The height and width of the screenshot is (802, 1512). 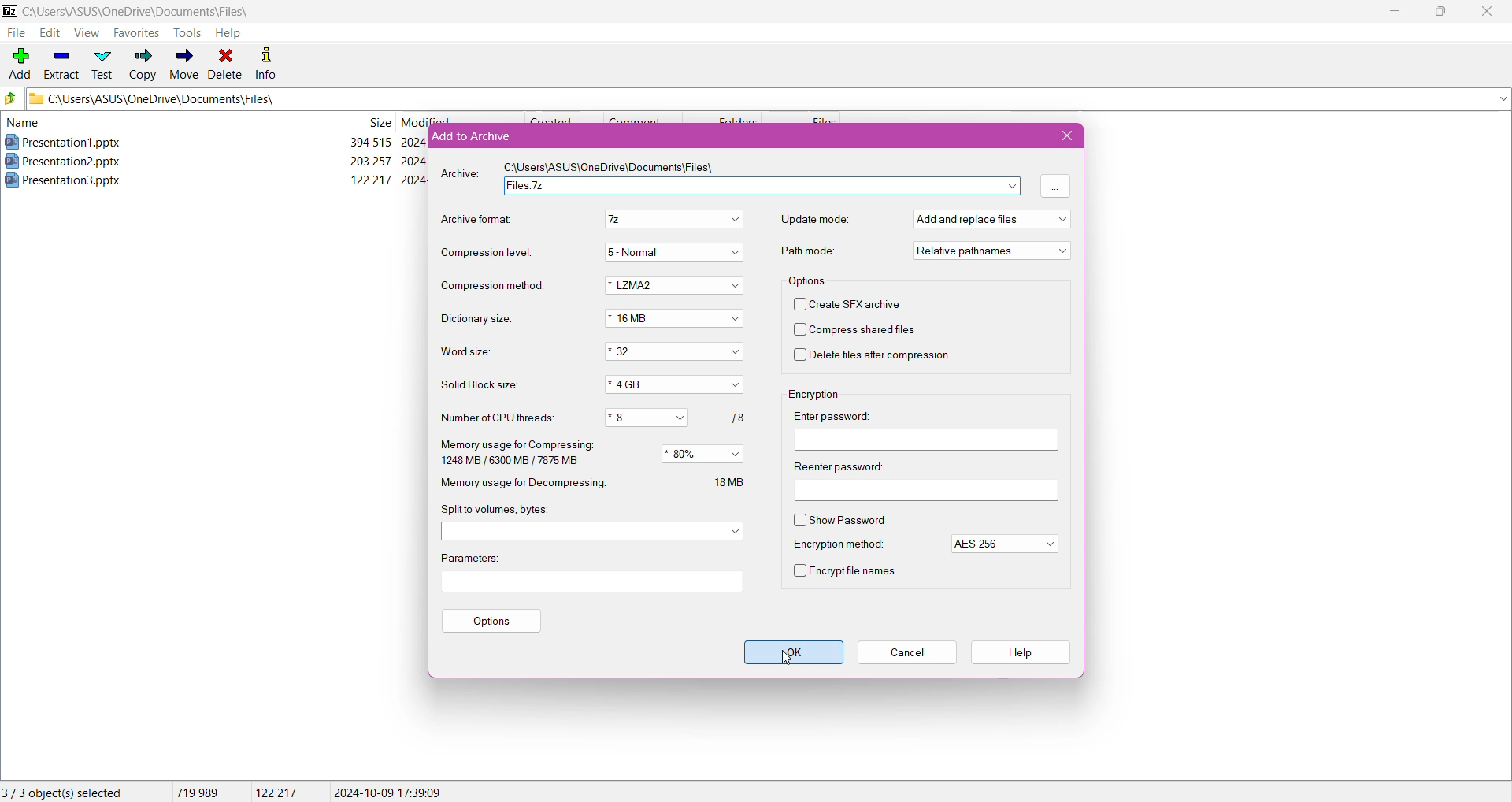 What do you see at coordinates (673, 220) in the screenshot?
I see `7x` at bounding box center [673, 220].